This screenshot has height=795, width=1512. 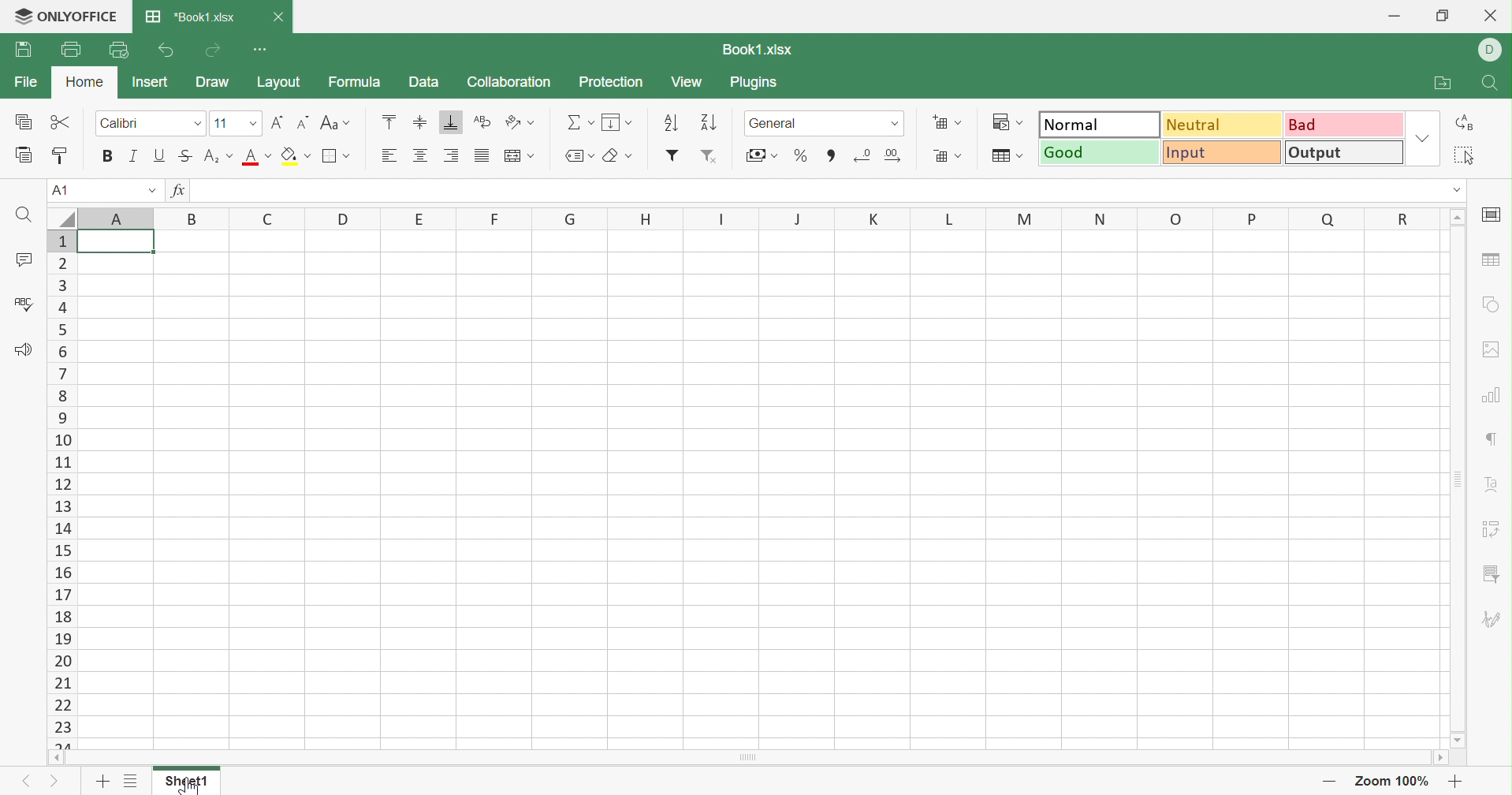 I want to click on Insert cells, so click(x=948, y=121).